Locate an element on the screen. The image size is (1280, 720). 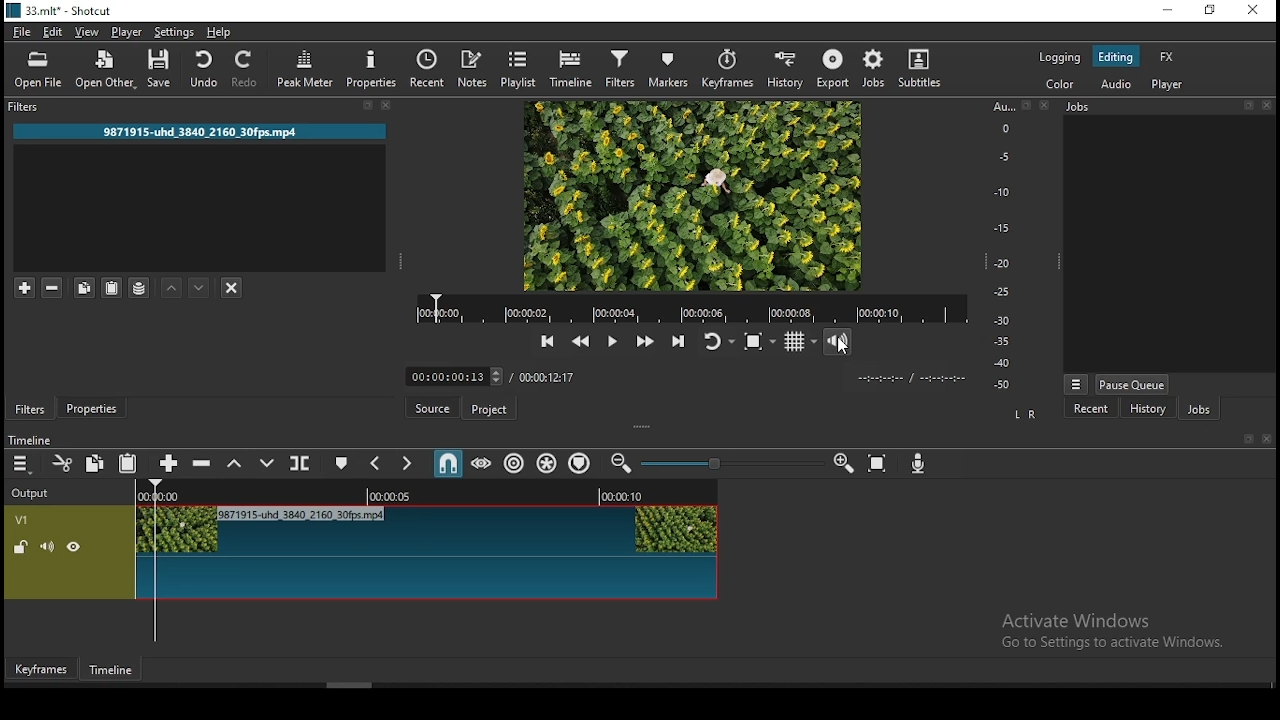
save filter sets is located at coordinates (141, 290).